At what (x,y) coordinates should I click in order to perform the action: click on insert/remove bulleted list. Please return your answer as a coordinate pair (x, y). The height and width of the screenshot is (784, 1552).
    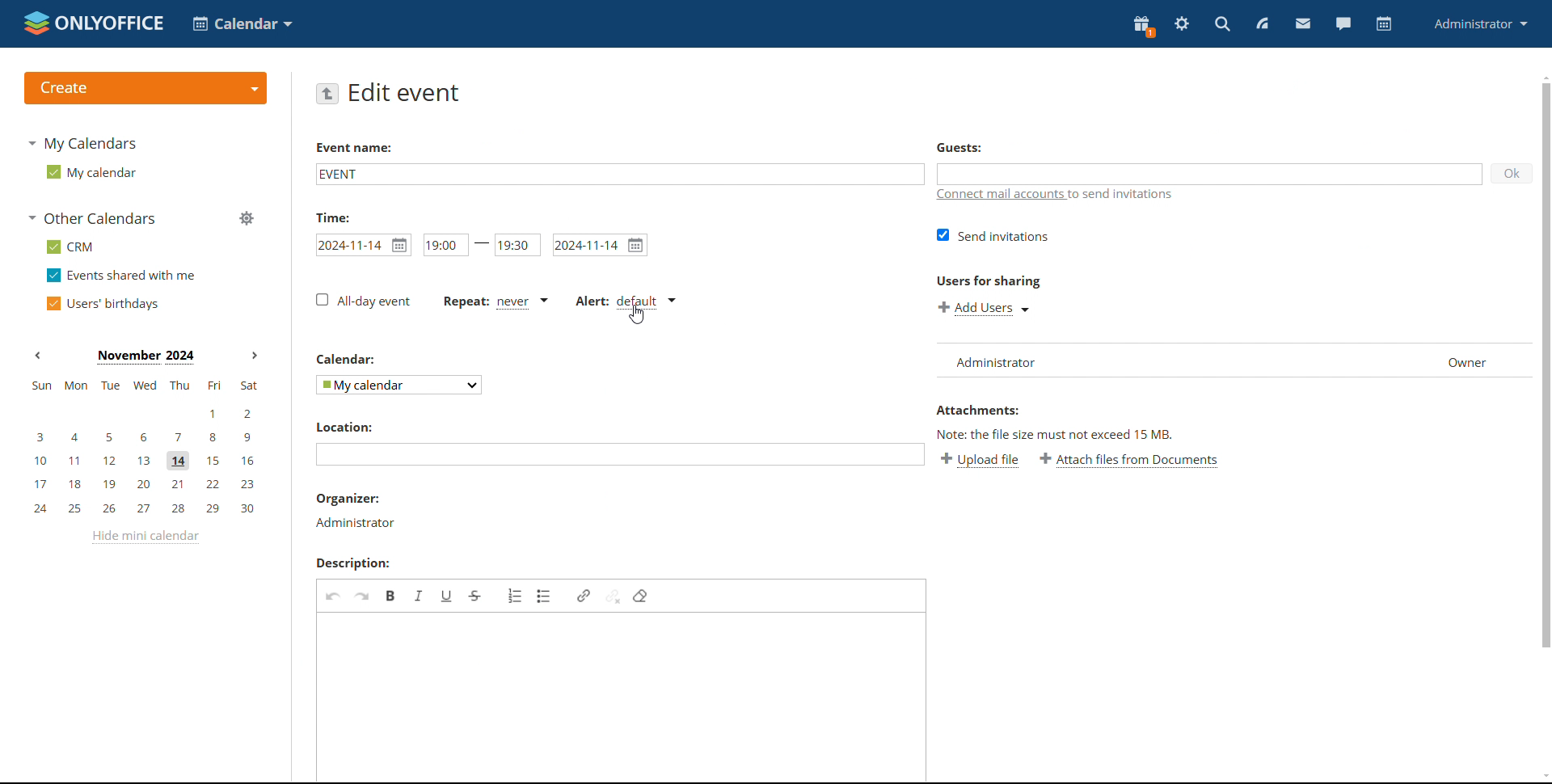
    Looking at the image, I should click on (545, 596).